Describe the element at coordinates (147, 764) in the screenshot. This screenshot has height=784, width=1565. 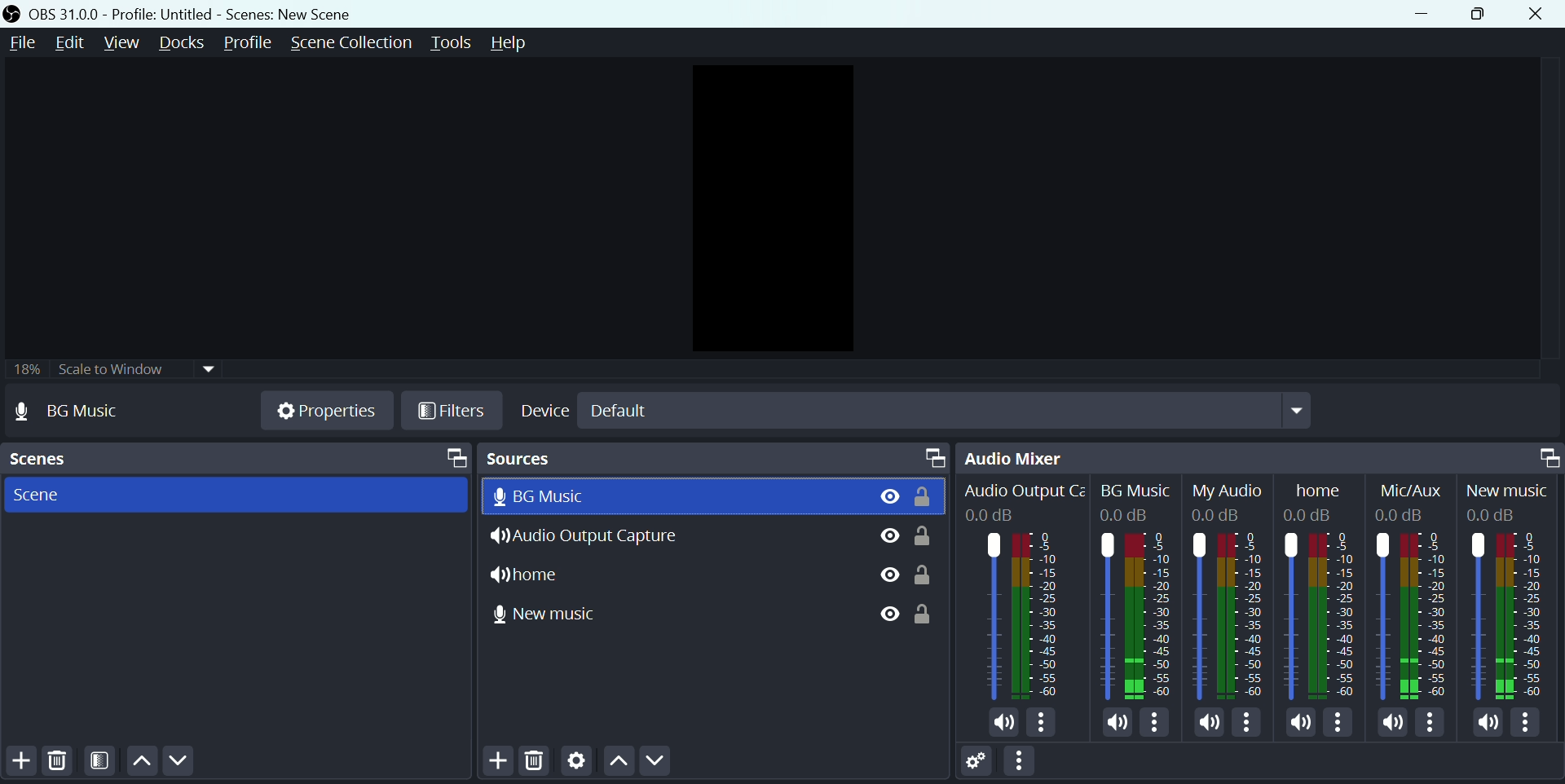
I see `Up` at that location.